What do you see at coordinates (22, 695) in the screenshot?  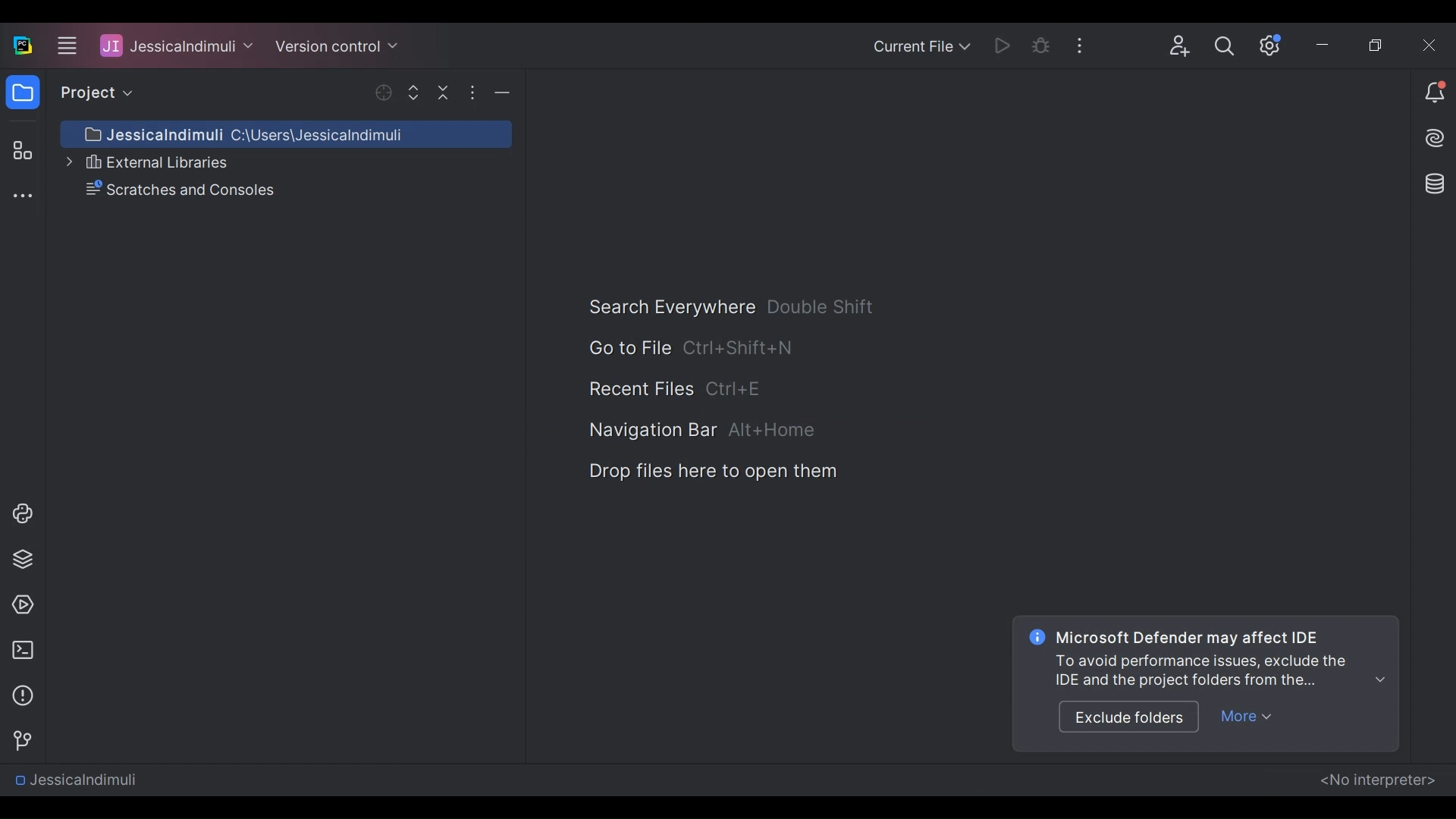 I see `Problem` at bounding box center [22, 695].